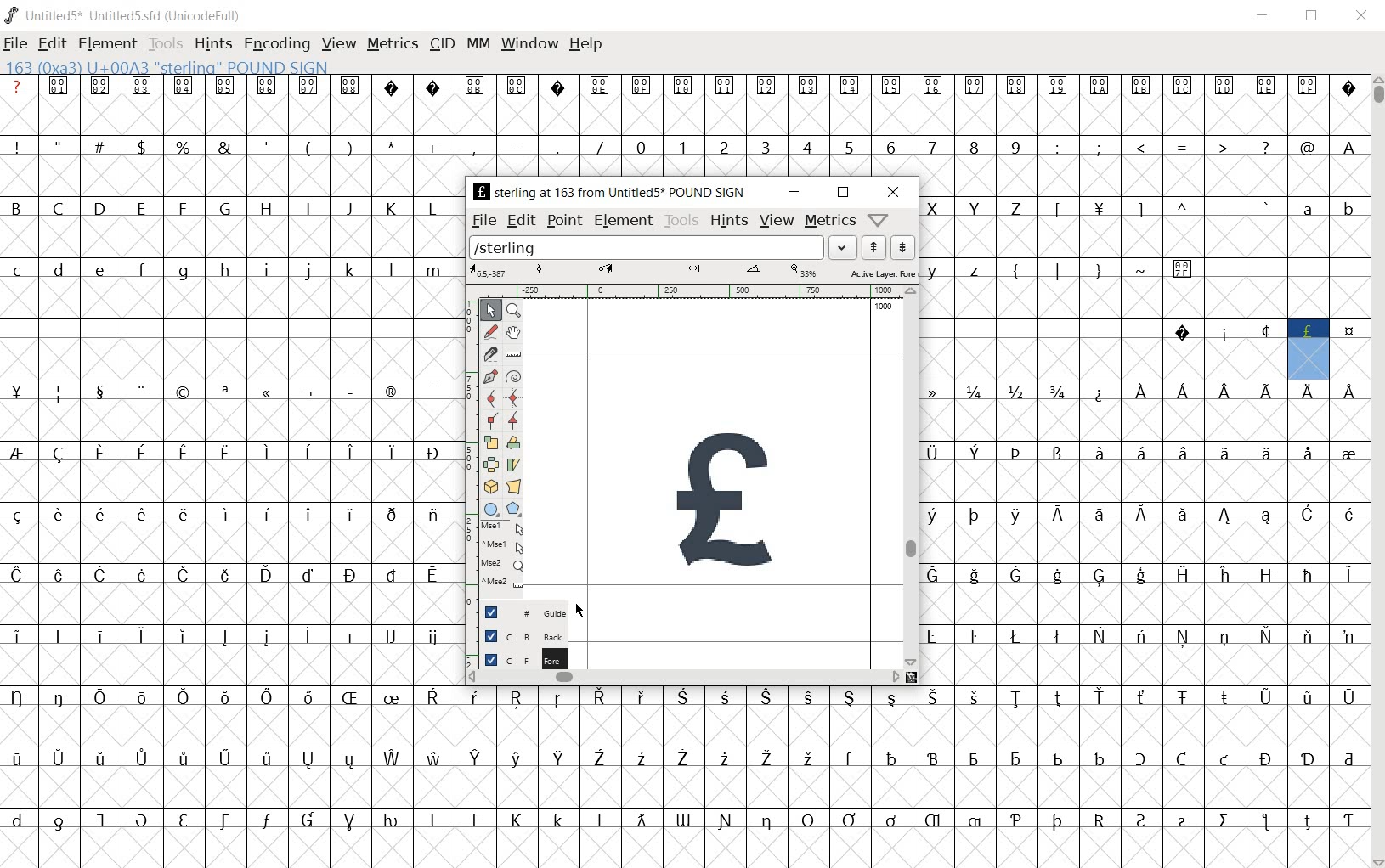  I want to click on Symbol, so click(1347, 332).